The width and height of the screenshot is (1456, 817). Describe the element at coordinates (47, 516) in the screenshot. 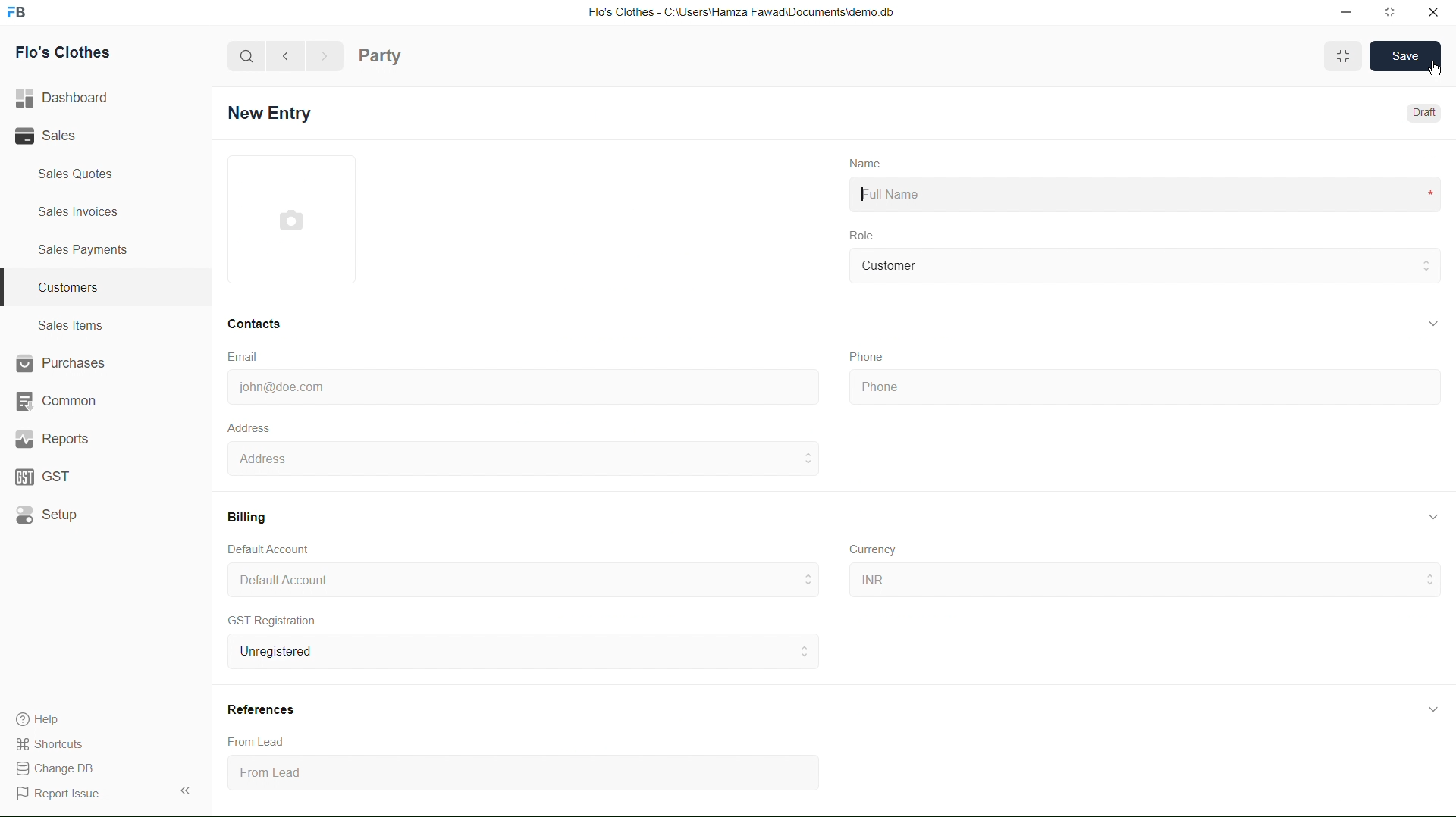

I see `Setup` at that location.